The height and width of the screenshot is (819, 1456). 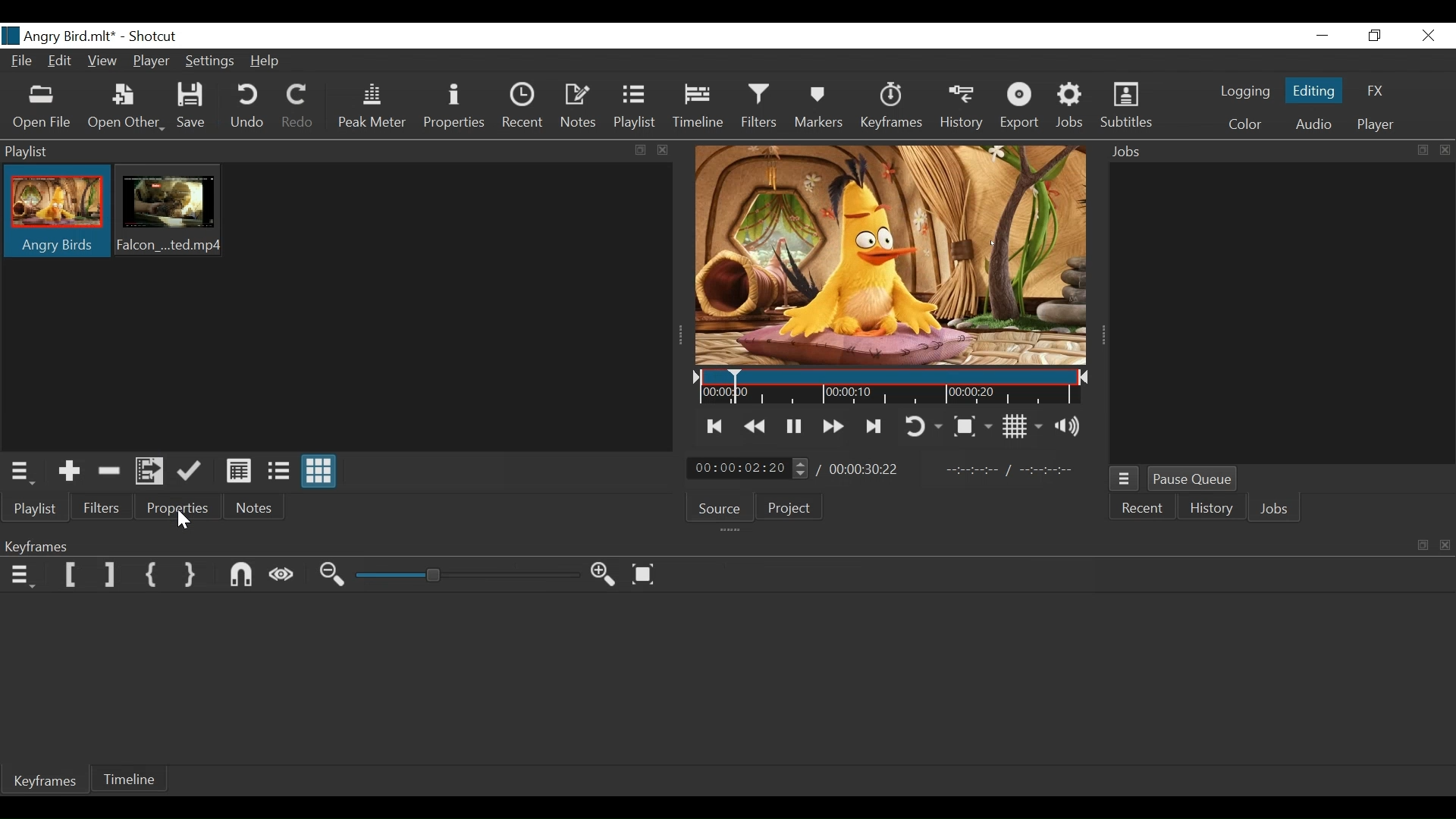 I want to click on Zoom keyframe to fit, so click(x=645, y=574).